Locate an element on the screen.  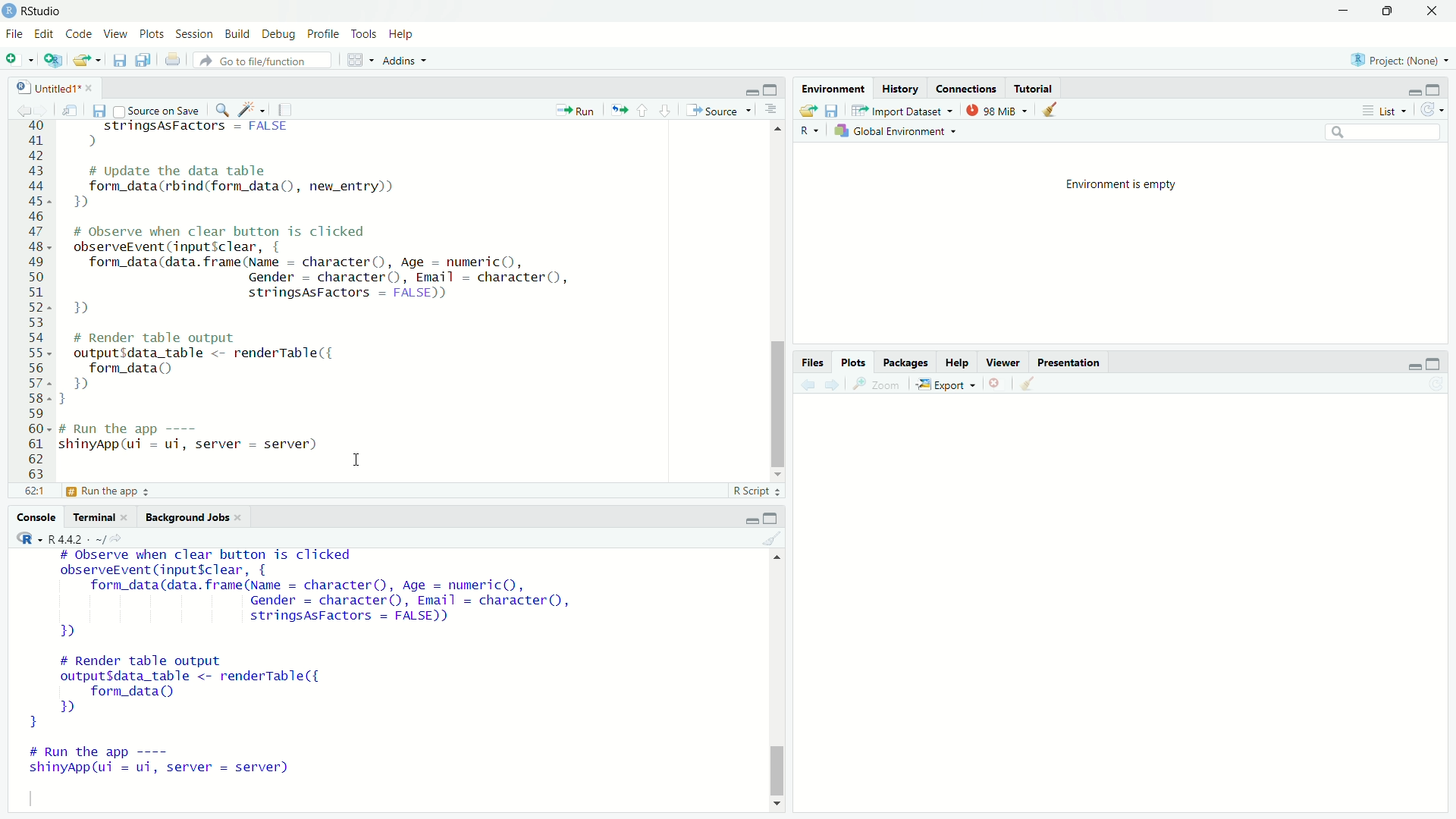
code to observe when clear button is clicked is located at coordinates (323, 596).